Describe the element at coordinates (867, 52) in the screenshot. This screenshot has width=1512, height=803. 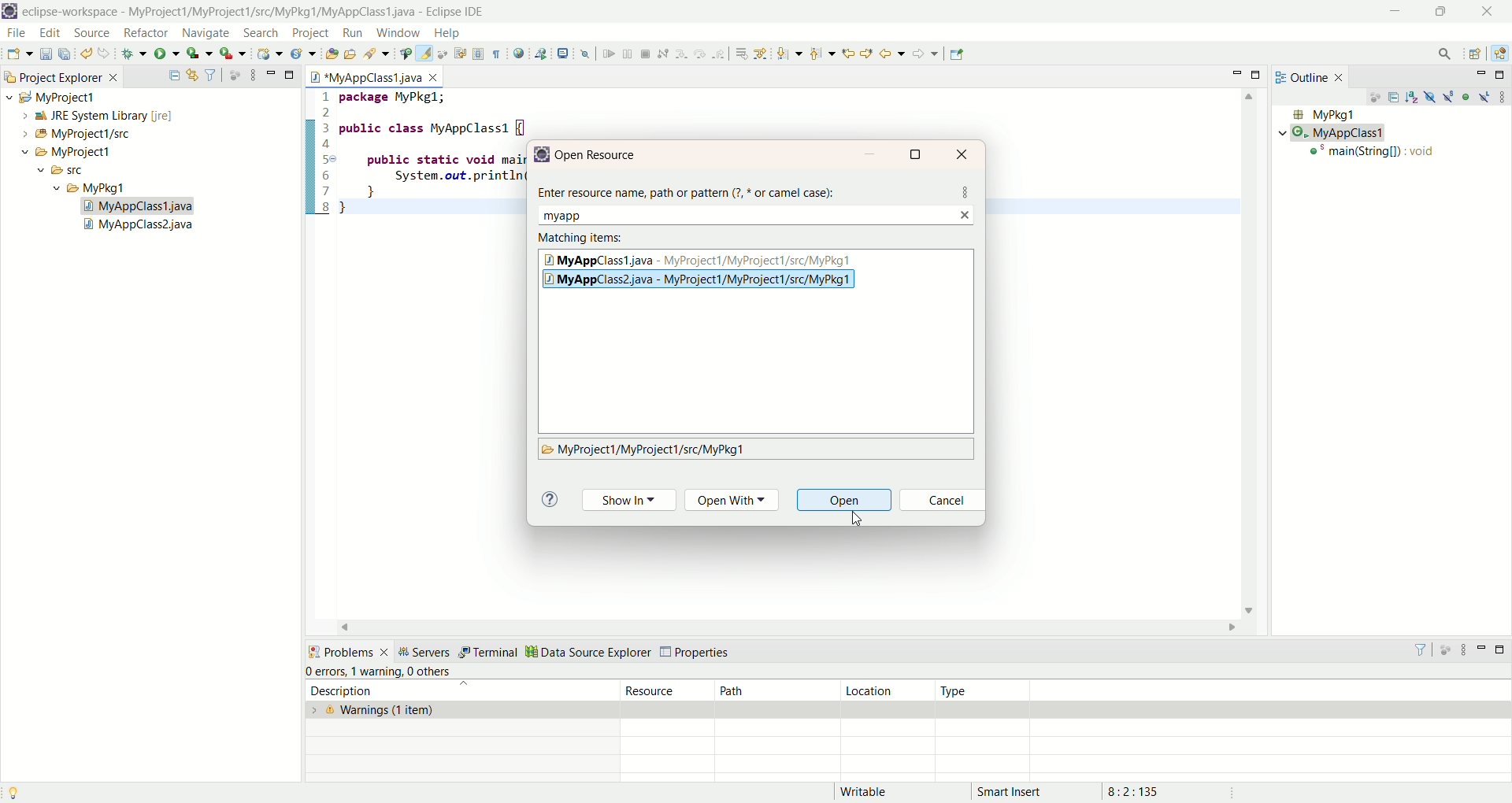
I see `next edit location` at that location.